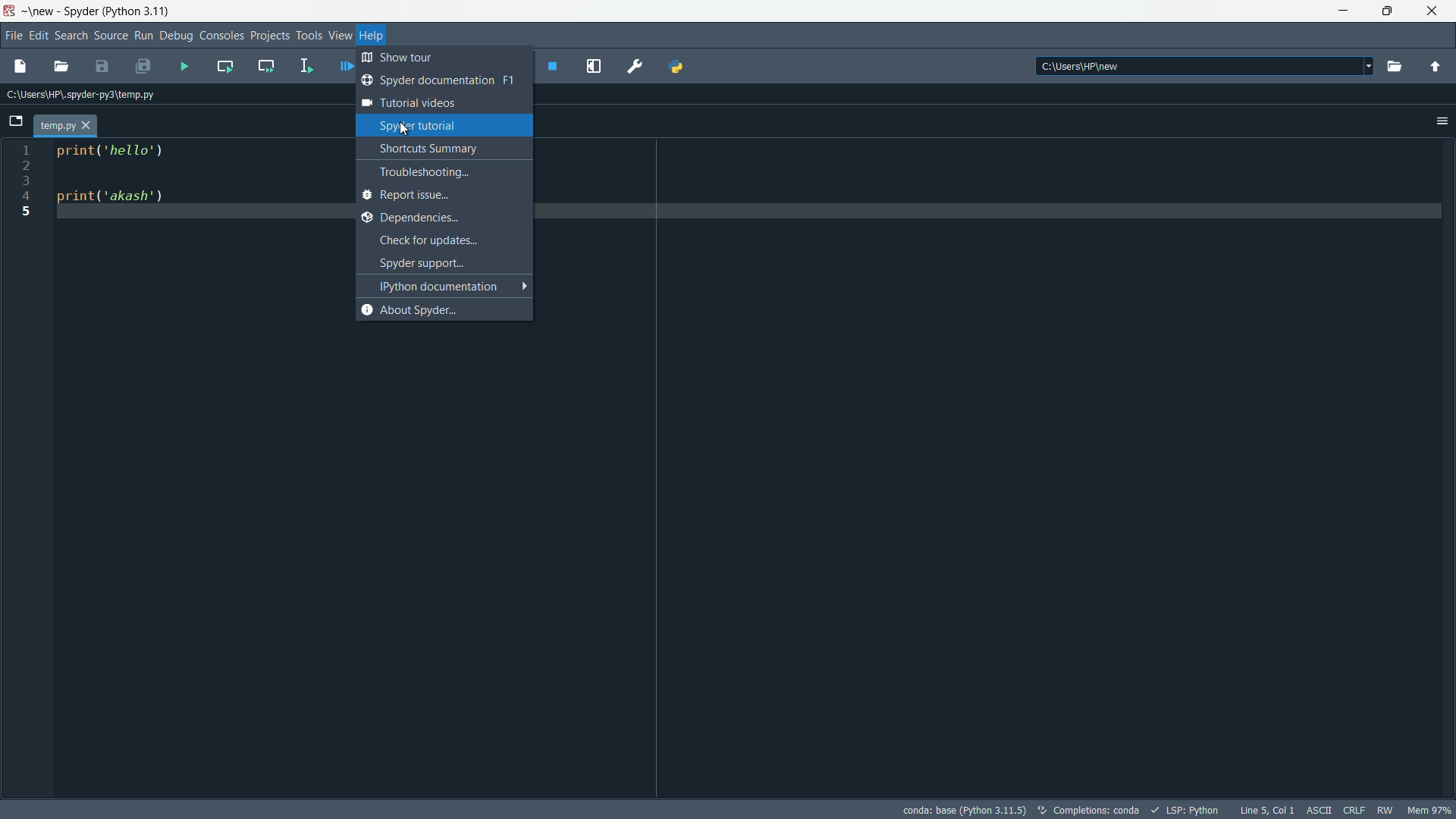  Describe the element at coordinates (303, 64) in the screenshot. I see `run selection or current line` at that location.